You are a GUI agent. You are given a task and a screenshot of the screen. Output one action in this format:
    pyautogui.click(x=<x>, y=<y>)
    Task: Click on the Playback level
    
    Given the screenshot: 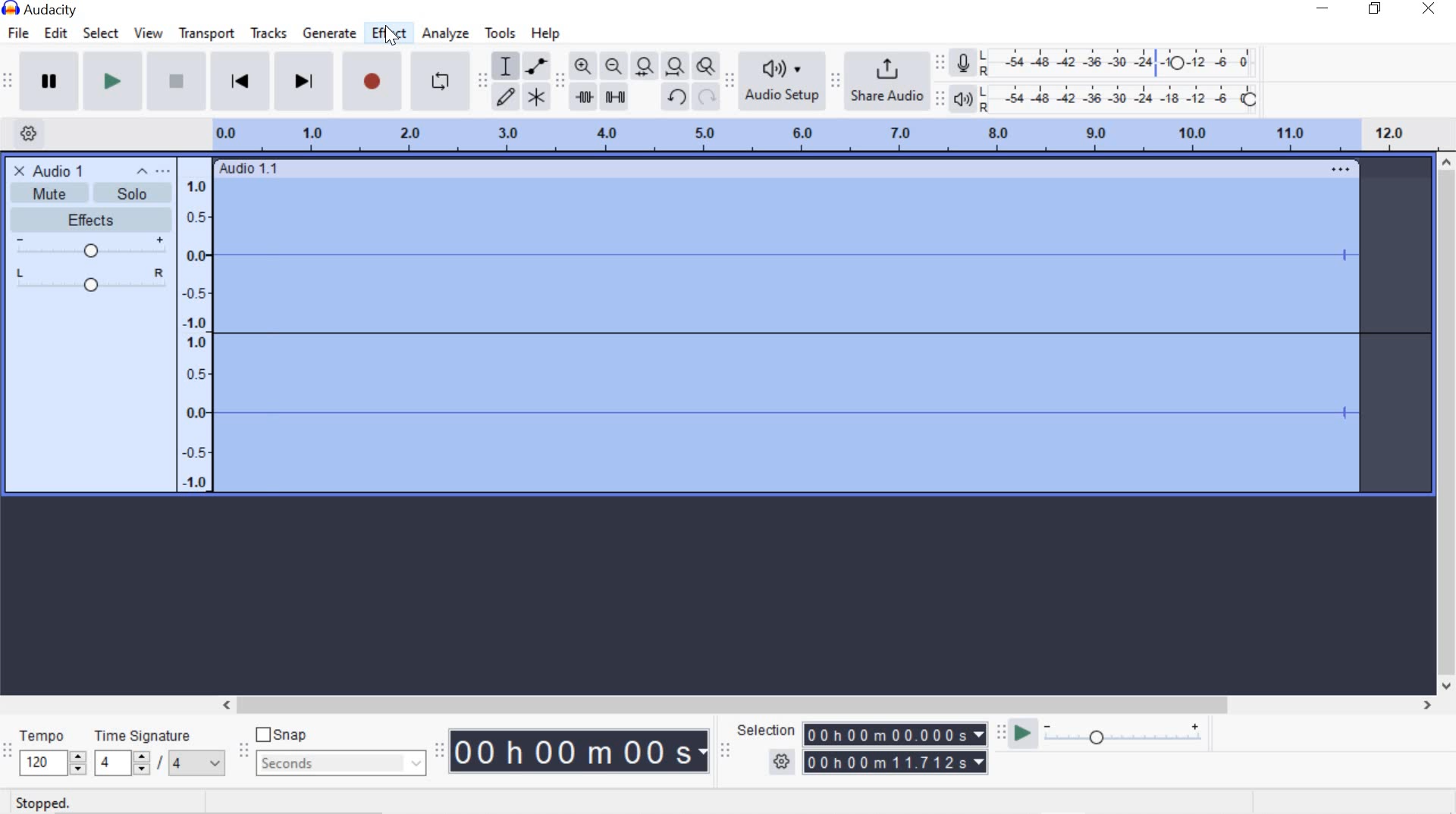 What is the action you would take?
    pyautogui.click(x=1125, y=99)
    